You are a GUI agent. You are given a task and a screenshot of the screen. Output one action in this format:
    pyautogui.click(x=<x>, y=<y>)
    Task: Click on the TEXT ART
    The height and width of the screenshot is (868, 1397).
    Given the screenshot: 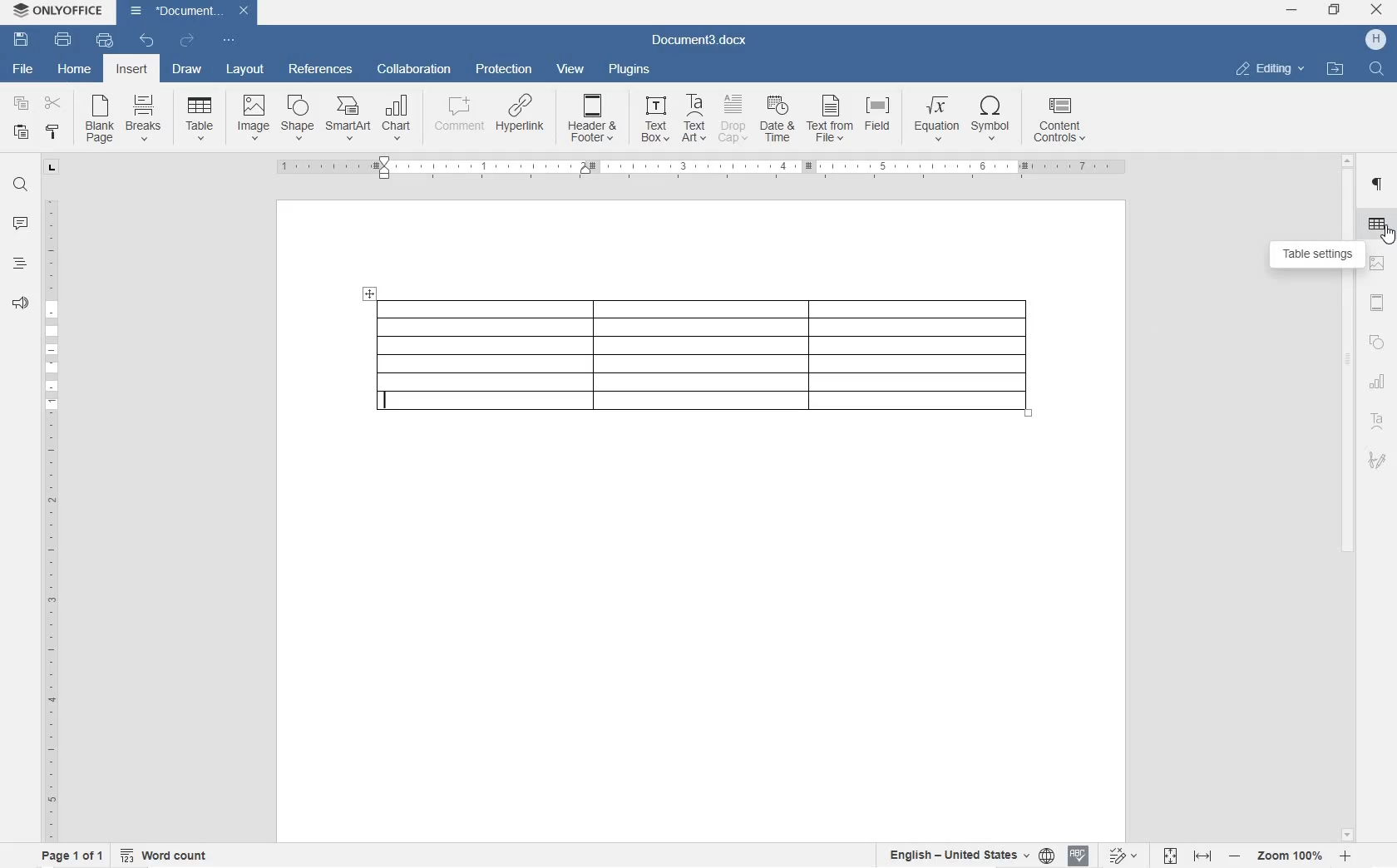 What is the action you would take?
    pyautogui.click(x=693, y=119)
    